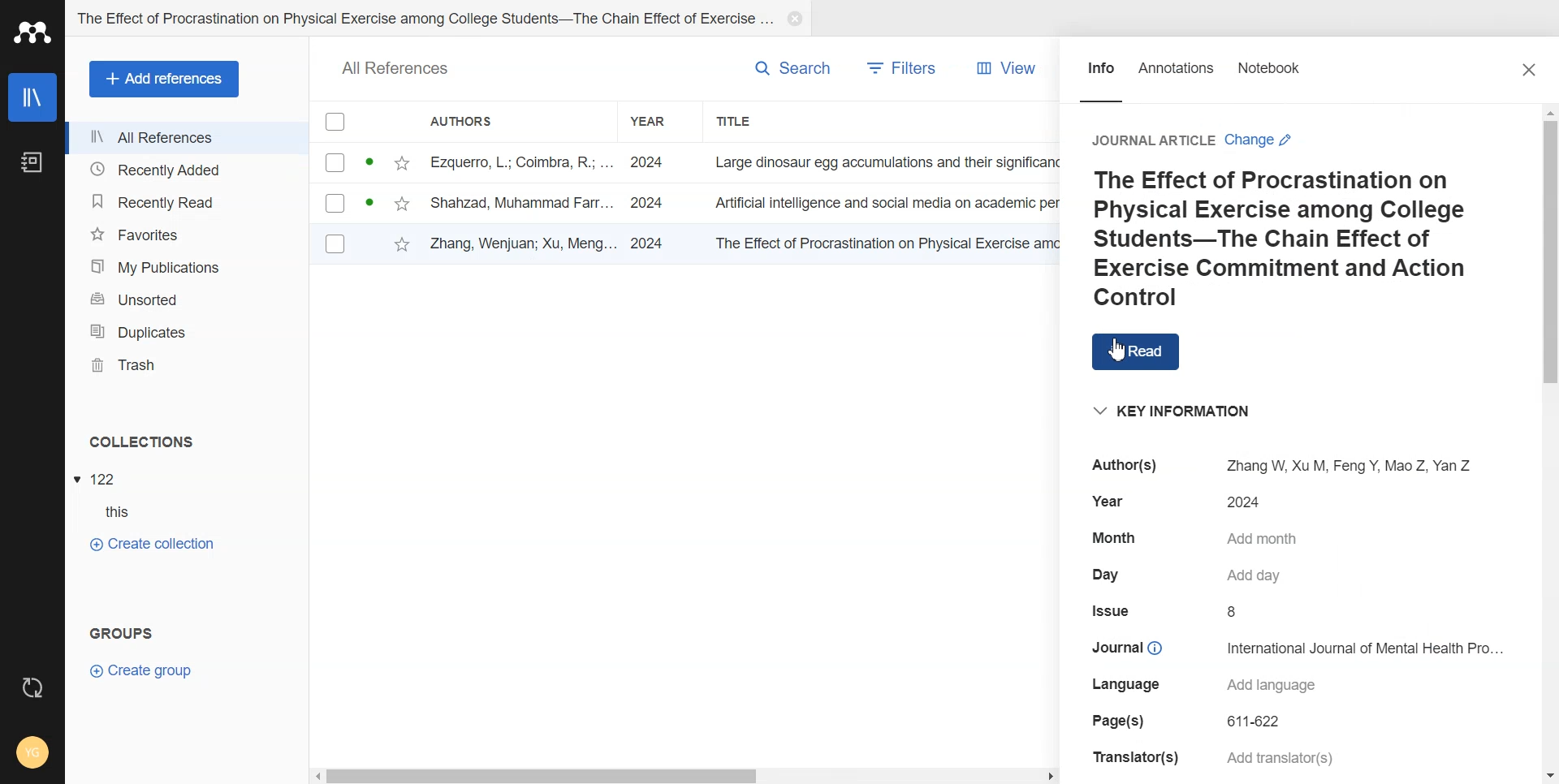 The image size is (1559, 784). I want to click on Active, so click(371, 200).